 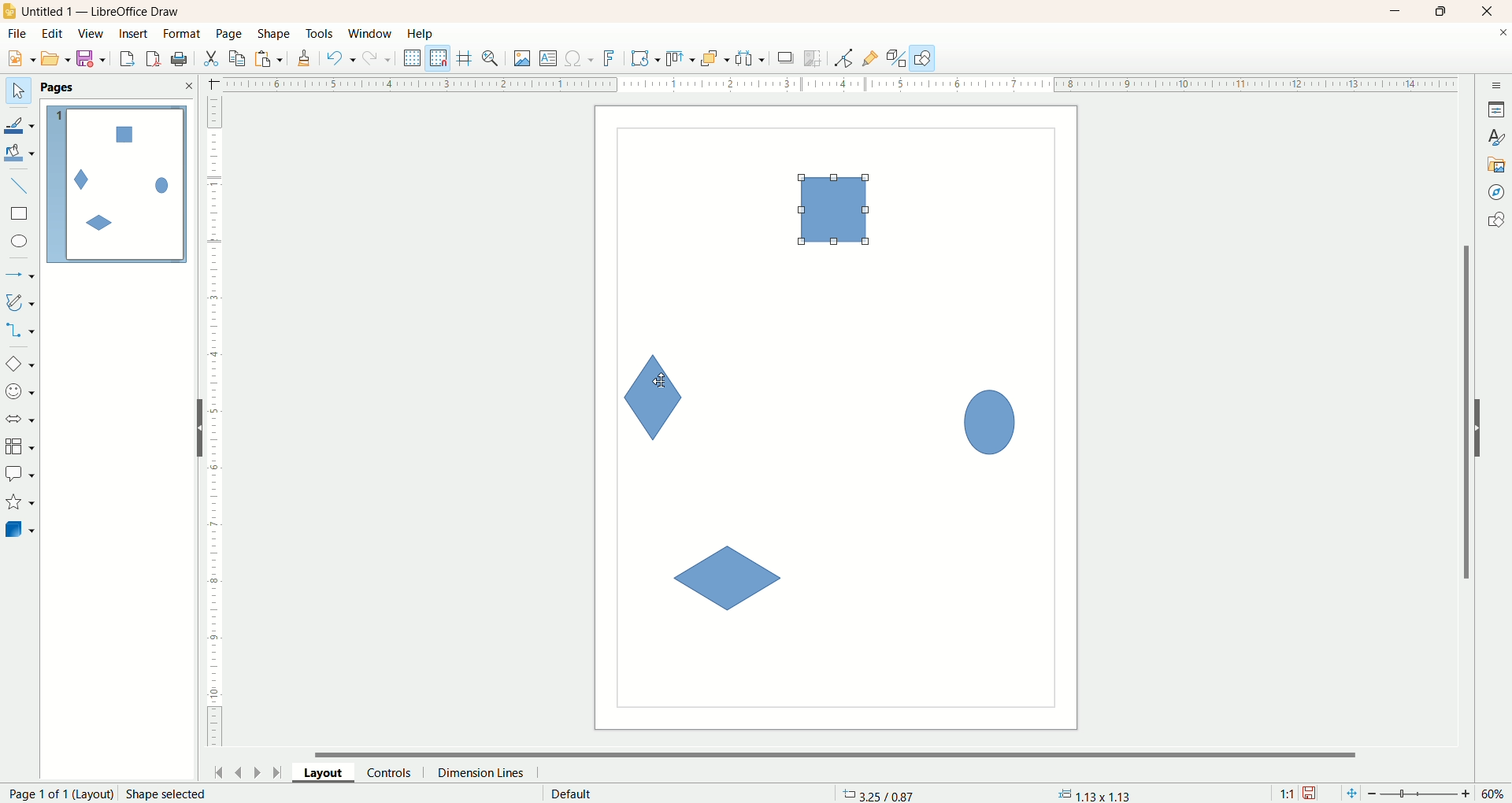 I want to click on horizontal scroll bar, so click(x=845, y=753).